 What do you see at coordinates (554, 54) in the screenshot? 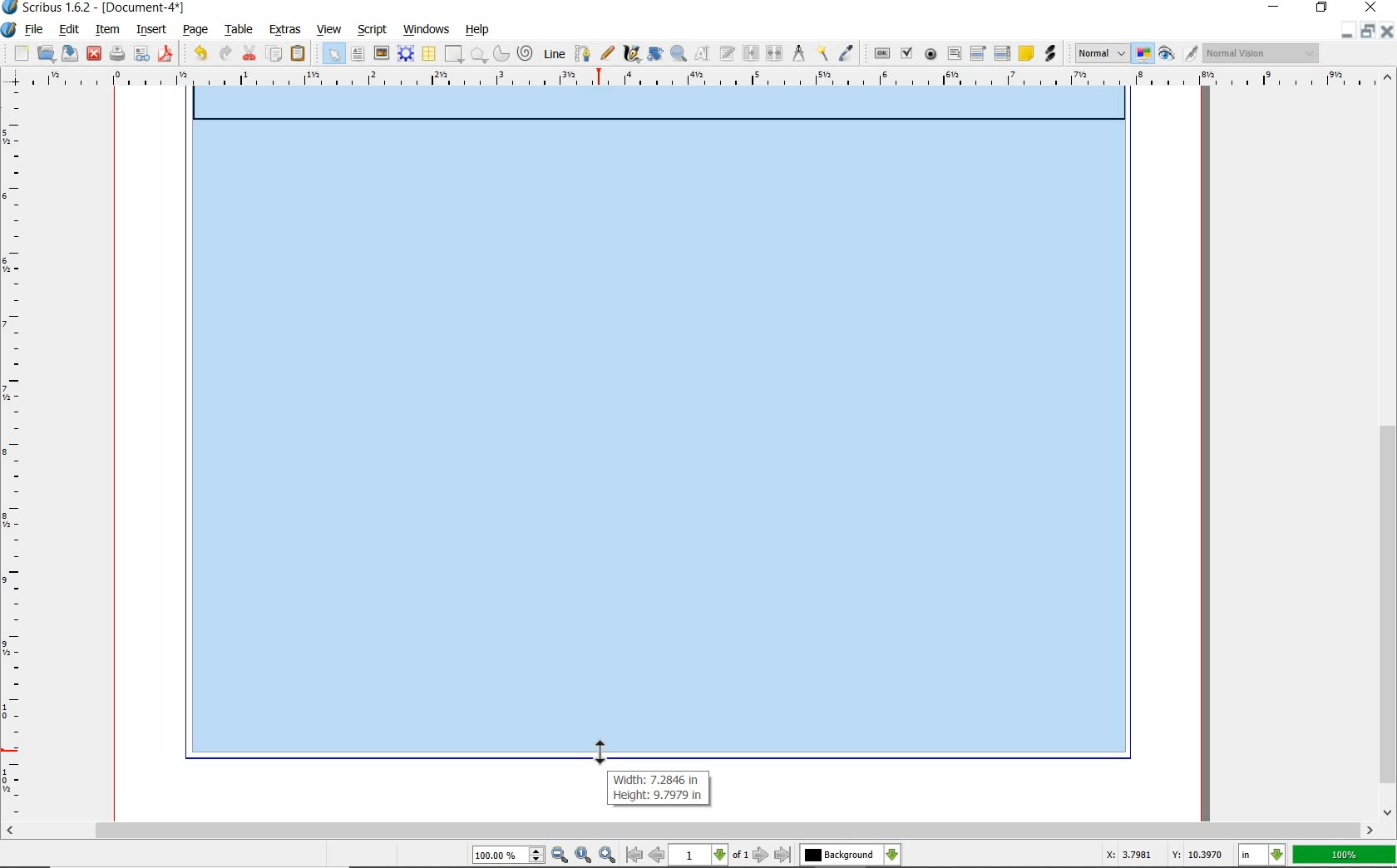
I see `line` at bounding box center [554, 54].